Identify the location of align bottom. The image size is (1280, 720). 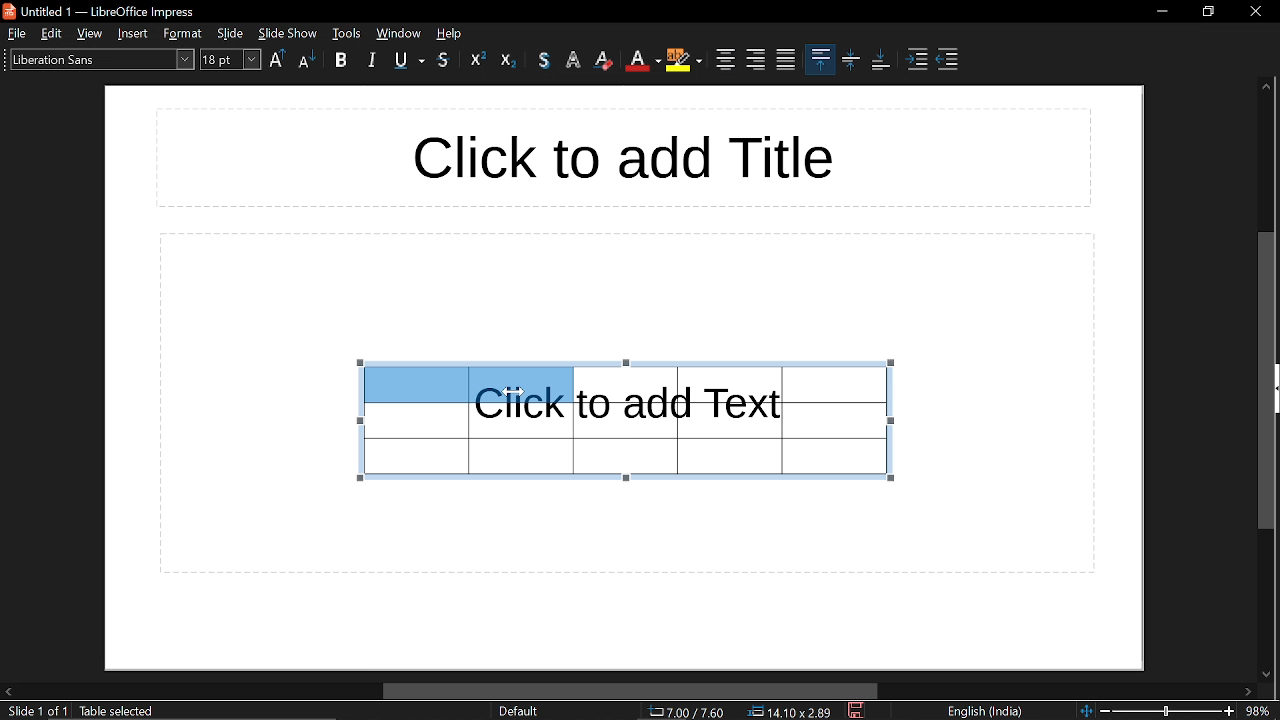
(880, 60).